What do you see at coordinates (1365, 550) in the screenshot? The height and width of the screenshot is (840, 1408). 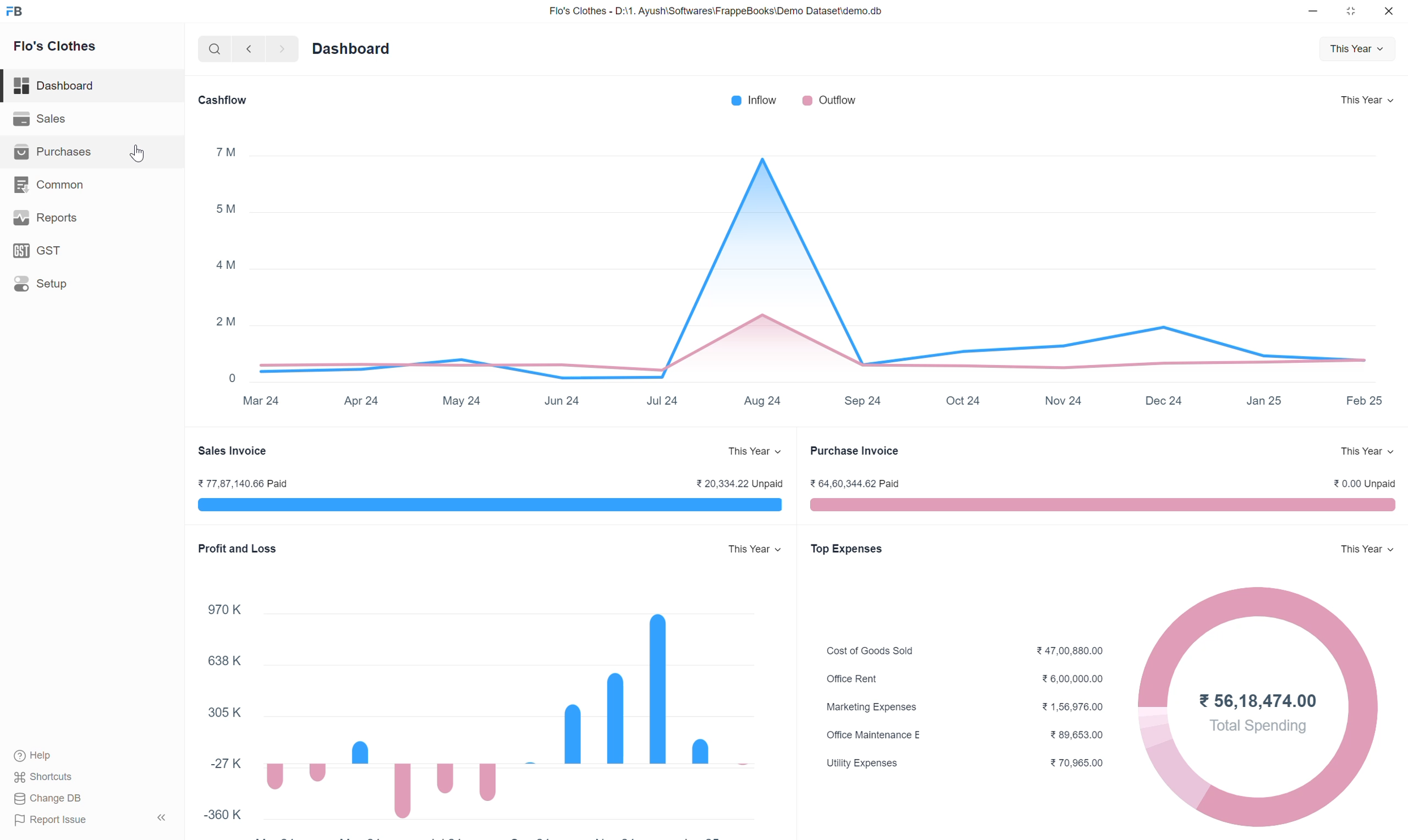 I see `This year` at bounding box center [1365, 550].